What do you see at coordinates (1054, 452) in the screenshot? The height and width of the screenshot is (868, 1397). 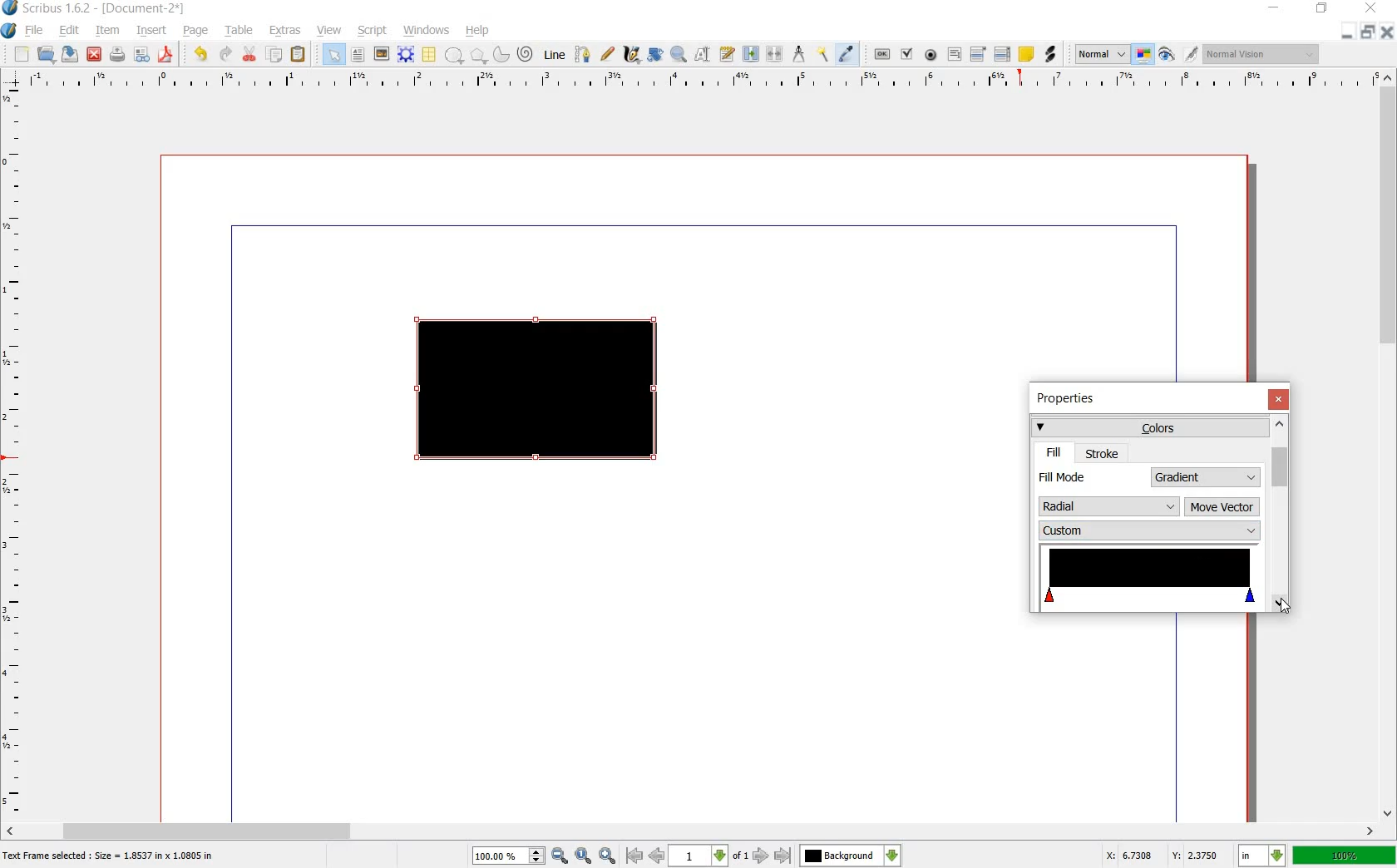 I see `fill` at bounding box center [1054, 452].